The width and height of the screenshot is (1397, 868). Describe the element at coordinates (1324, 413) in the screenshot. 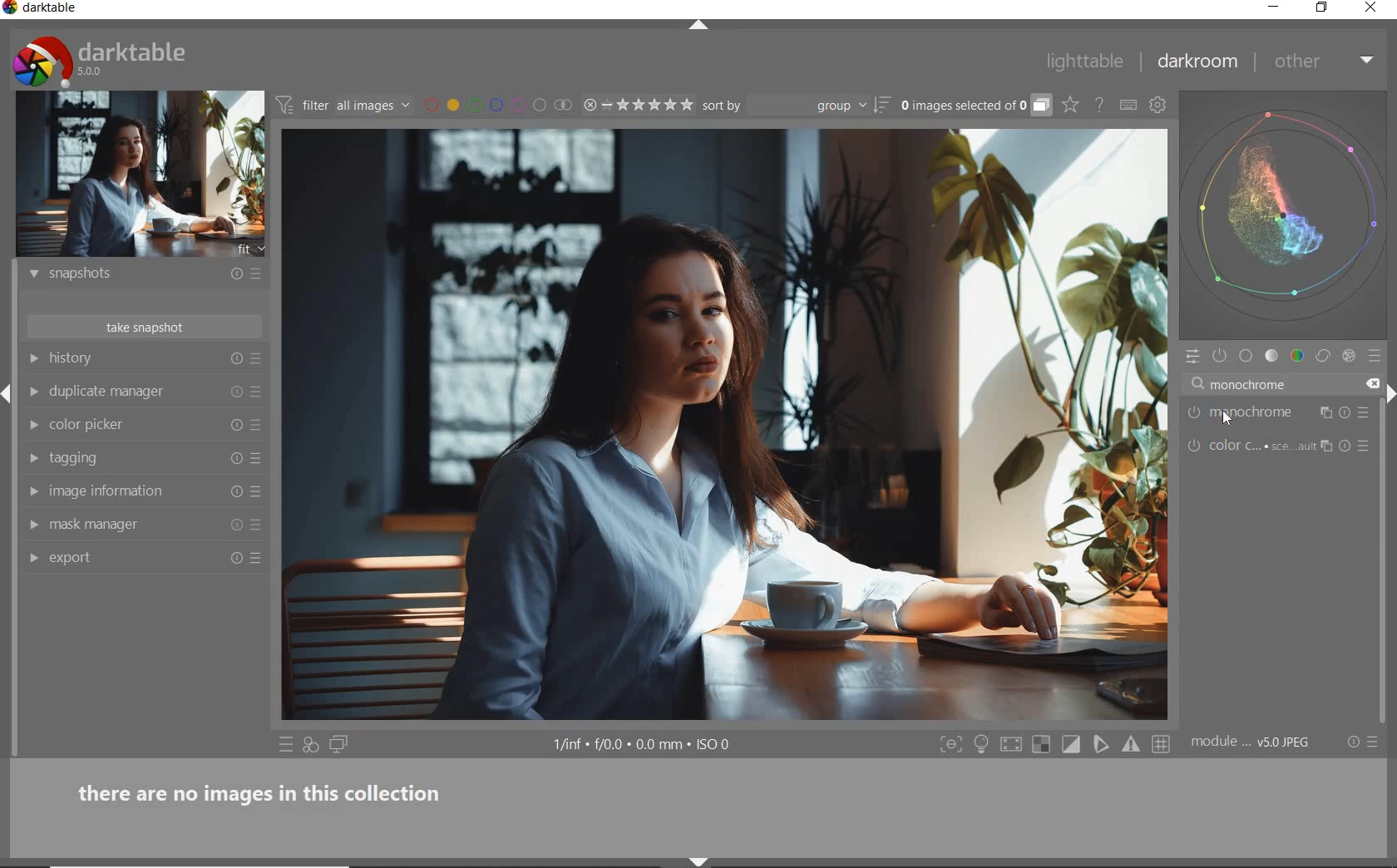

I see `multiple instance actions` at that location.